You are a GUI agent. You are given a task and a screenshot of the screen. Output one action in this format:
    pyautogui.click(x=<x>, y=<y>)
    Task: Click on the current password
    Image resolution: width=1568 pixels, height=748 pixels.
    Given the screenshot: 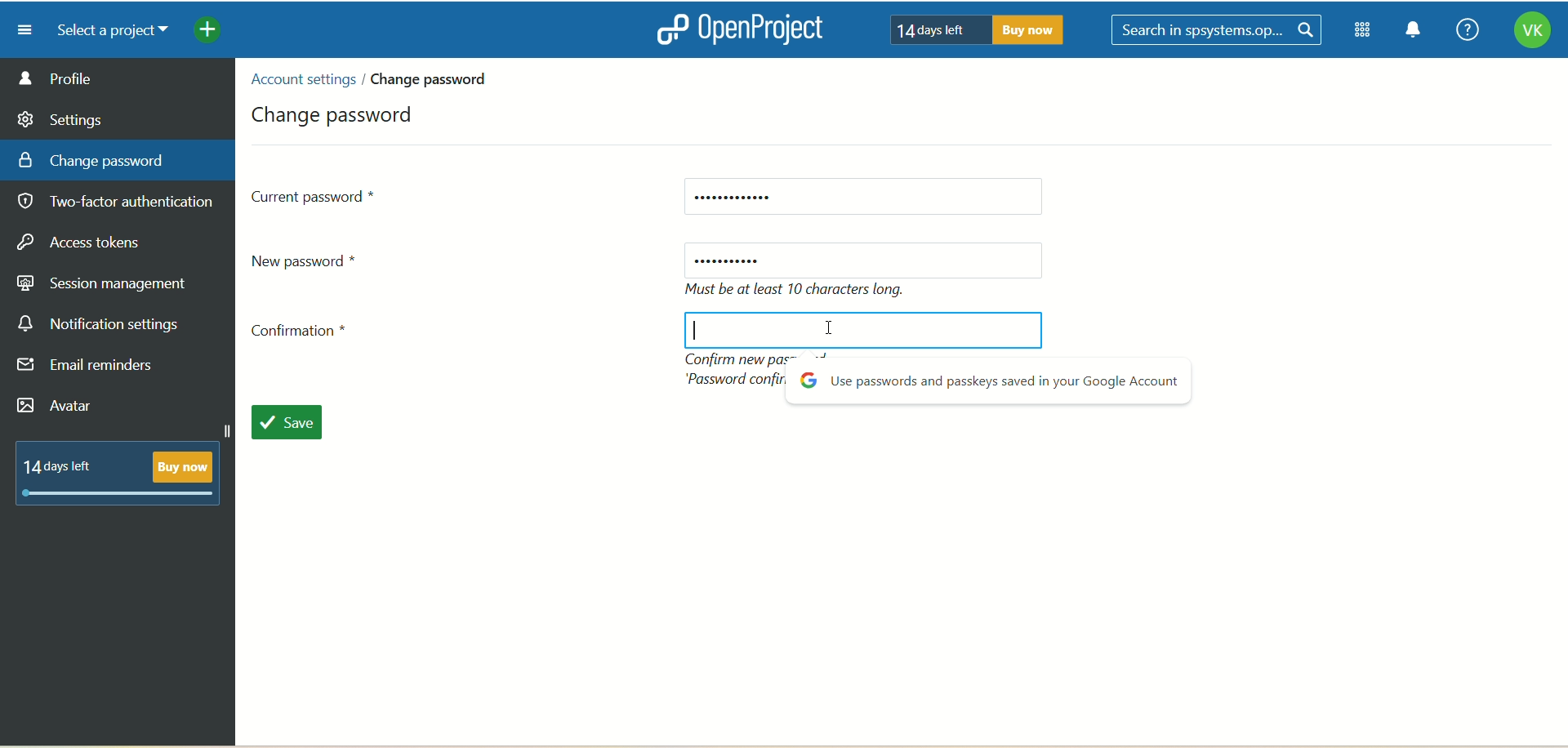 What is the action you would take?
    pyautogui.click(x=315, y=195)
    